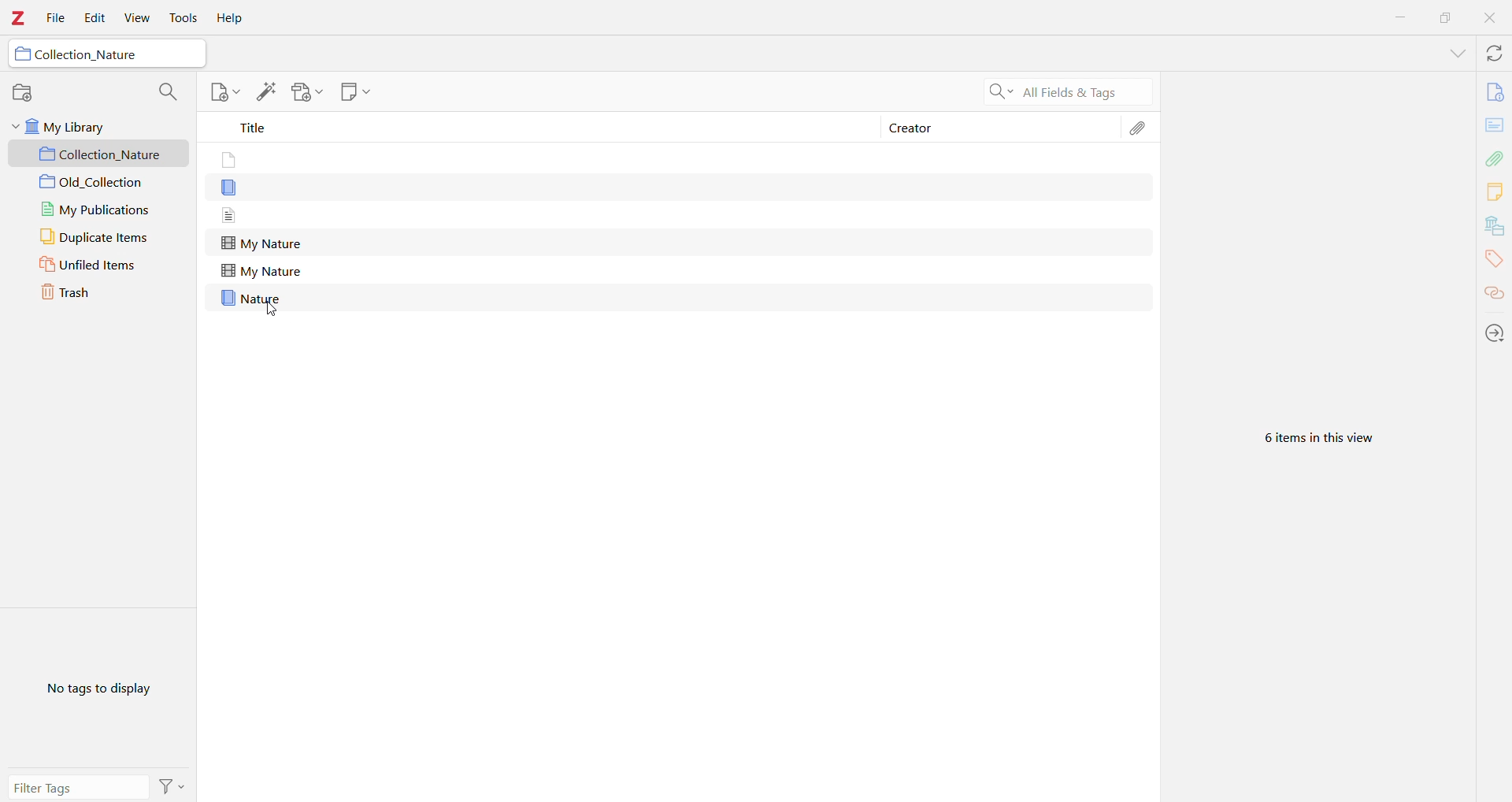  I want to click on Abstract, so click(1494, 125).